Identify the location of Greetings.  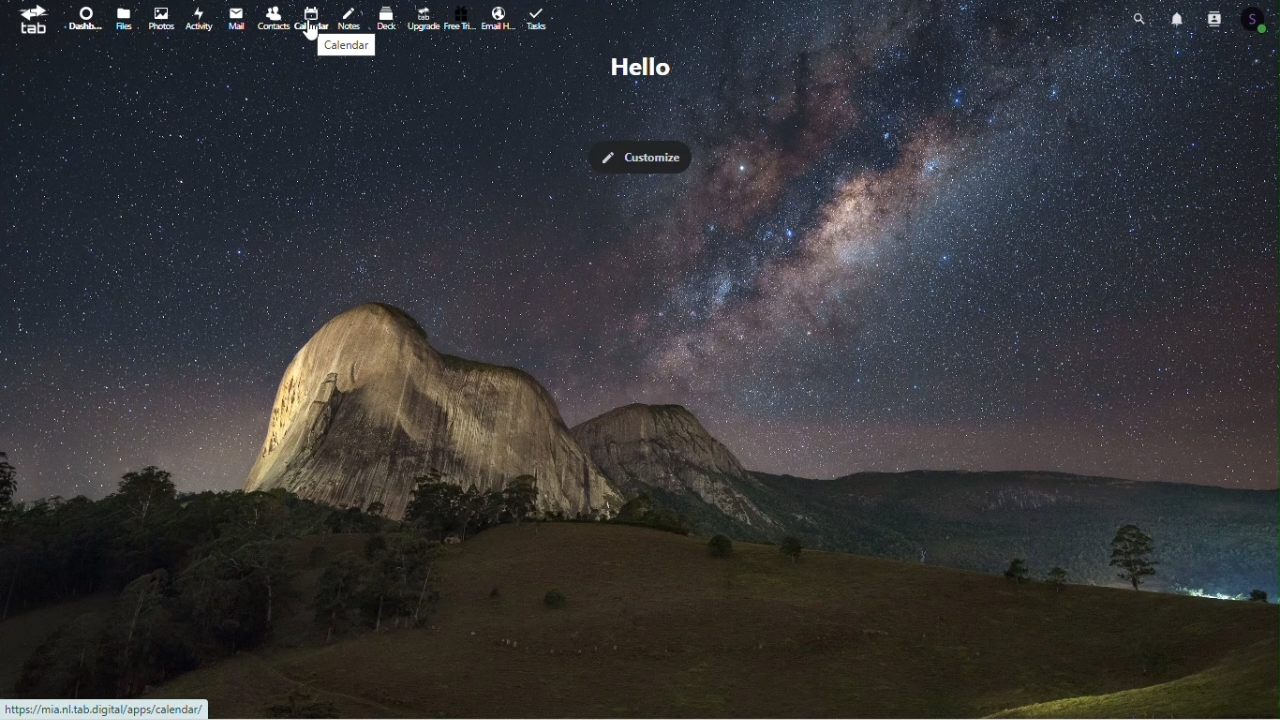
(637, 66).